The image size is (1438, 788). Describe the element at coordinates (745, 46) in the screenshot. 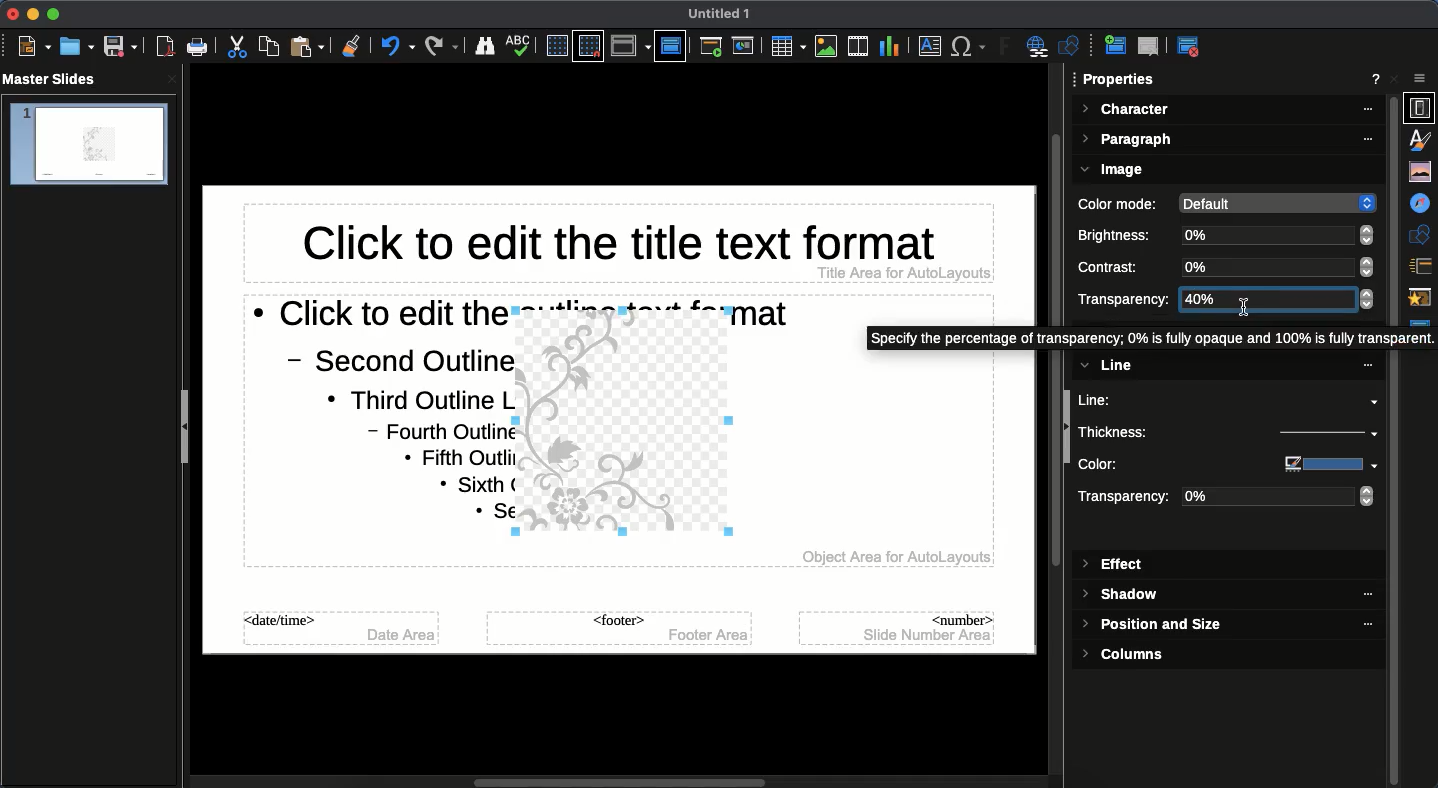

I see `Start from current slide` at that location.